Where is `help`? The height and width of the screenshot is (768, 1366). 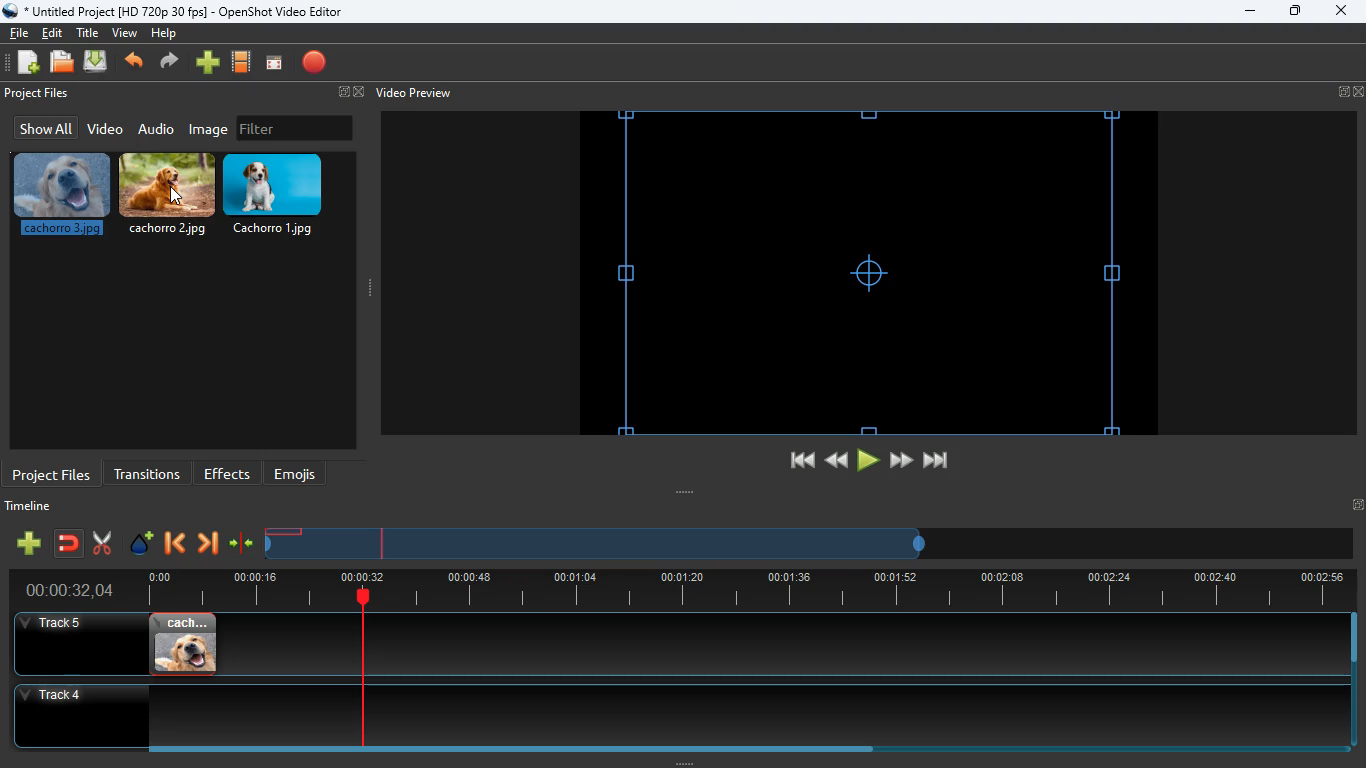 help is located at coordinates (163, 36).